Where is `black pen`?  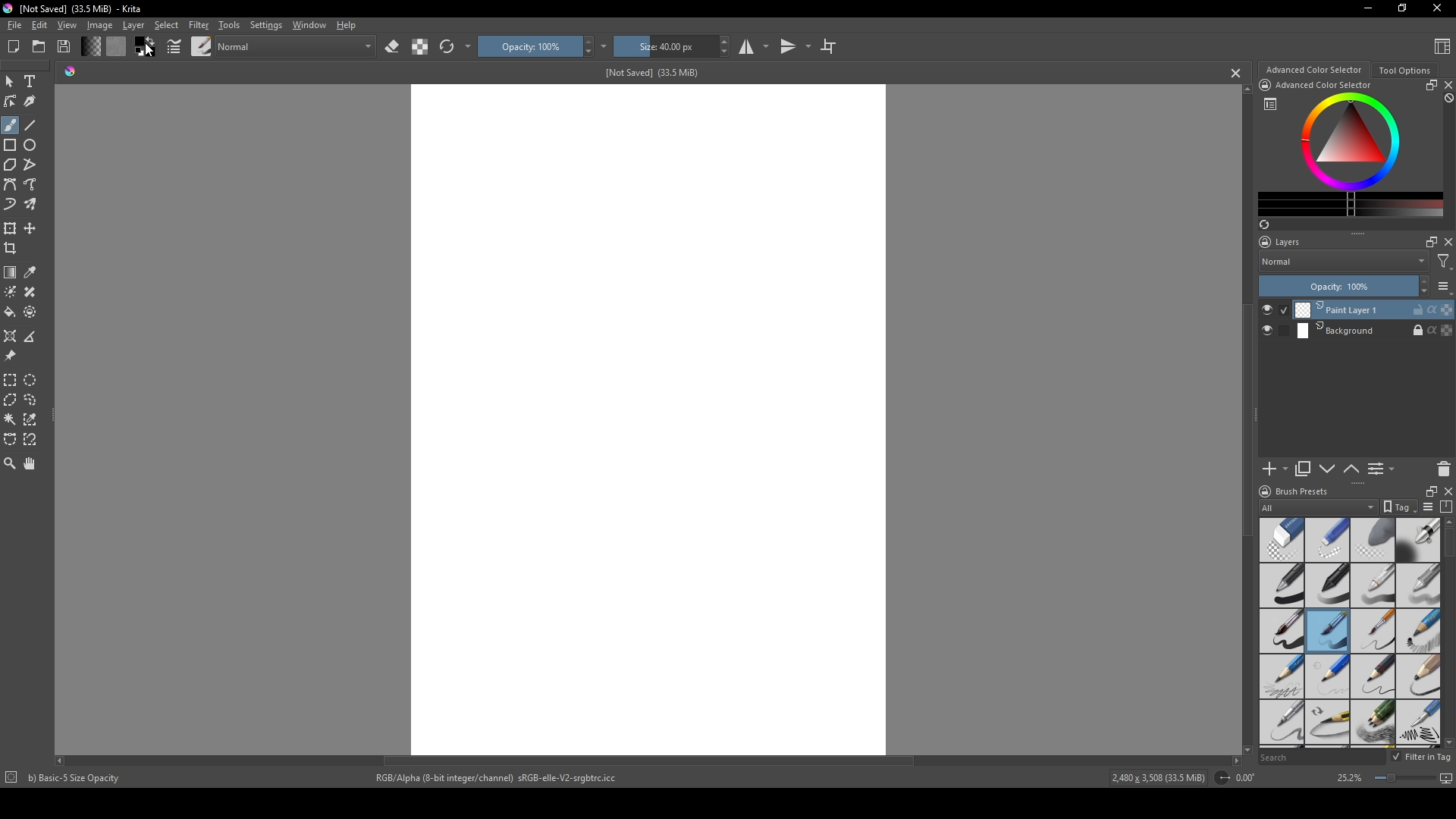 black pen is located at coordinates (1328, 585).